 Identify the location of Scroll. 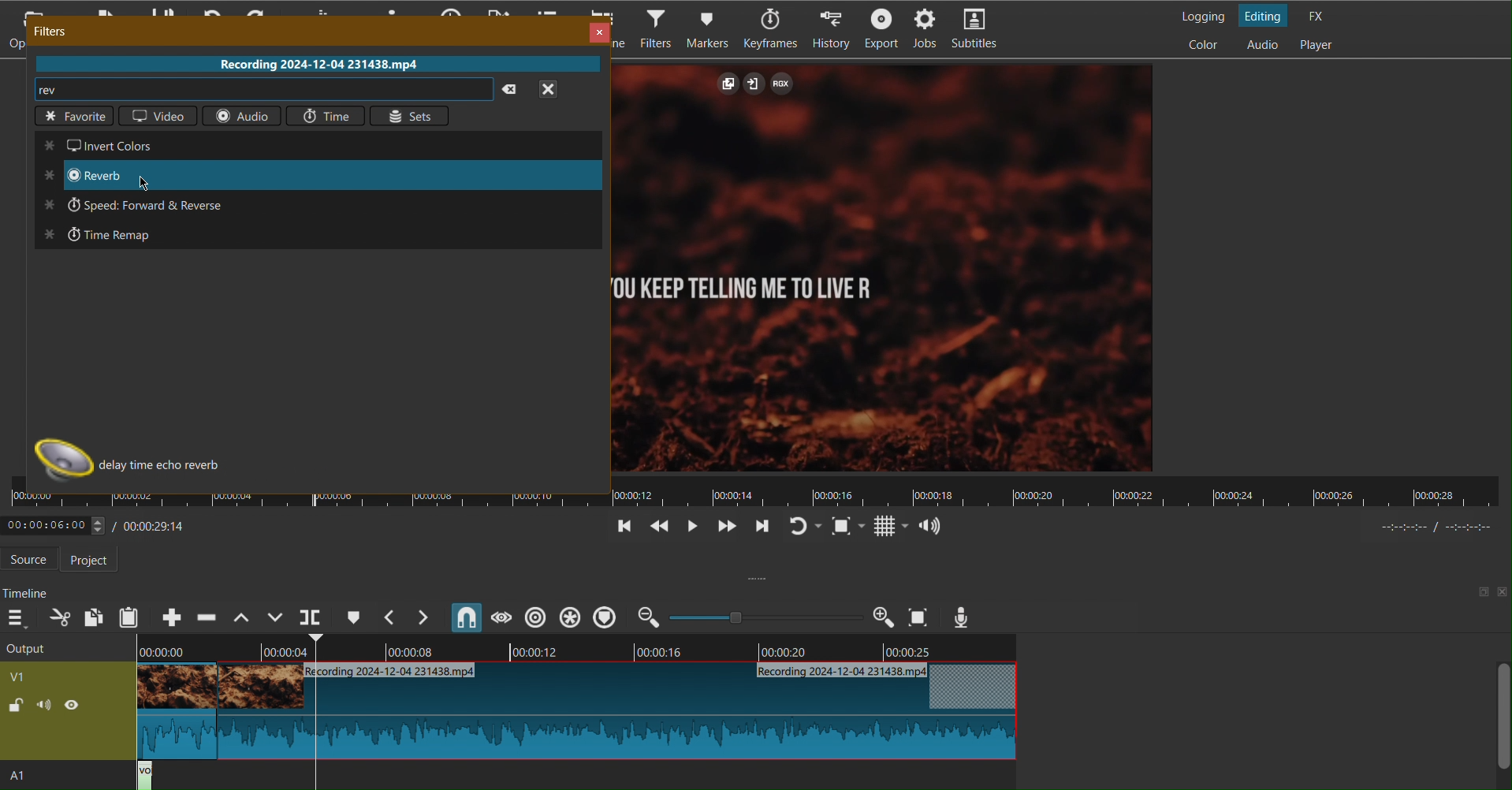
(1499, 724).